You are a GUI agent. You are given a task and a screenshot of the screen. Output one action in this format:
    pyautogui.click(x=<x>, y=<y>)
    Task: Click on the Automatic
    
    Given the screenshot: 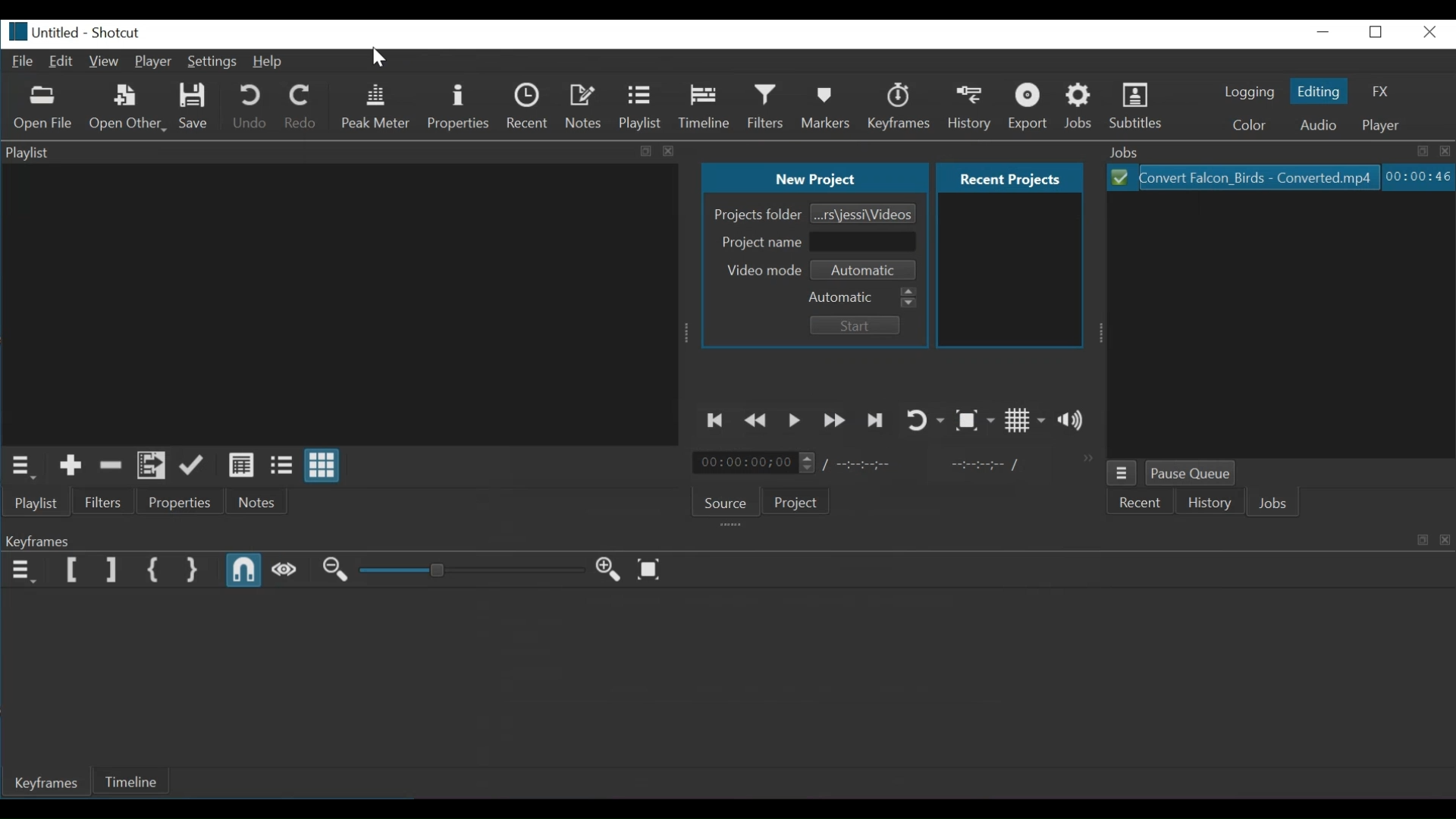 What is the action you would take?
    pyautogui.click(x=866, y=299)
    